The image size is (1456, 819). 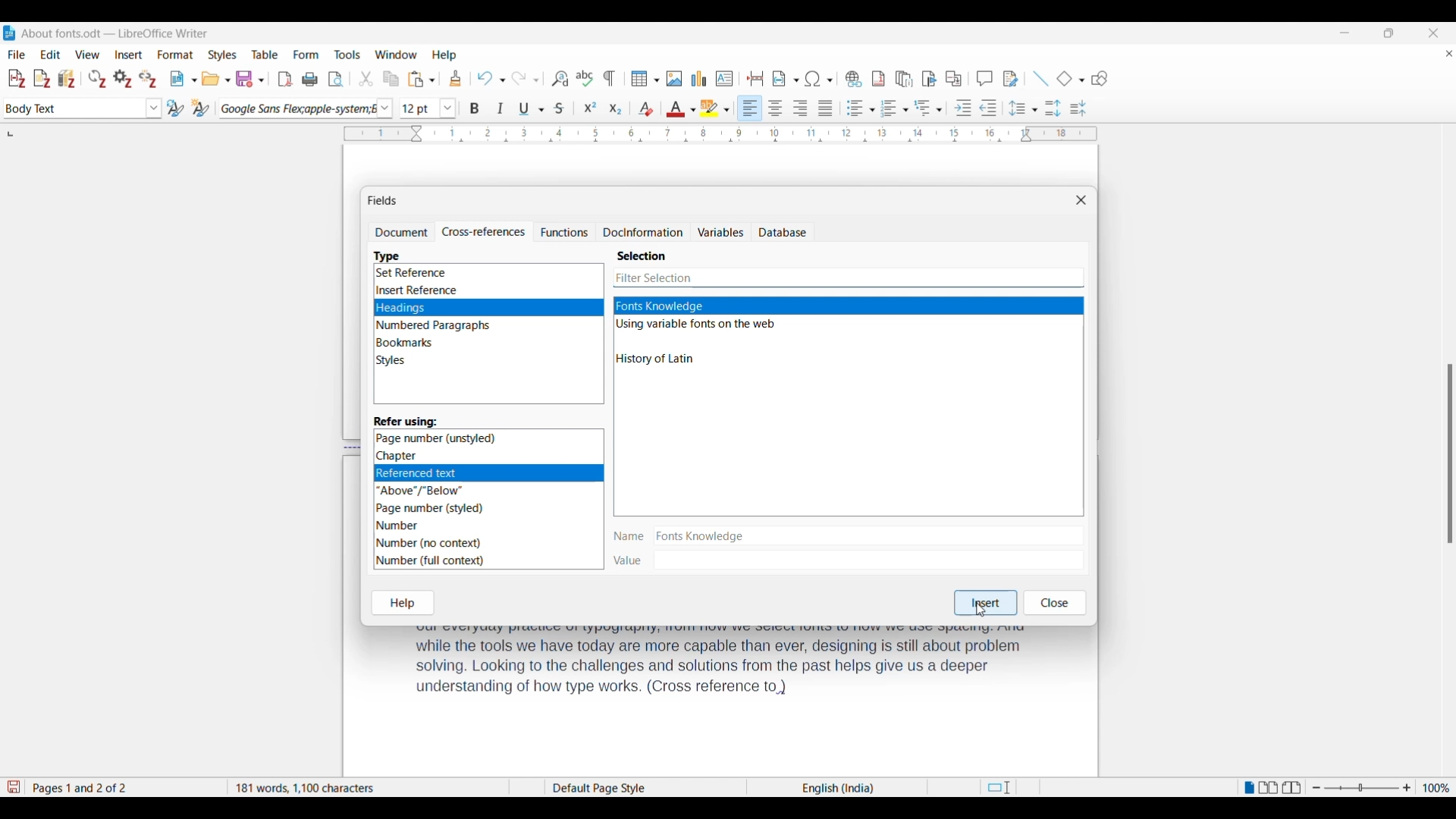 What do you see at coordinates (486, 472) in the screenshot?
I see `Referencedtet` at bounding box center [486, 472].